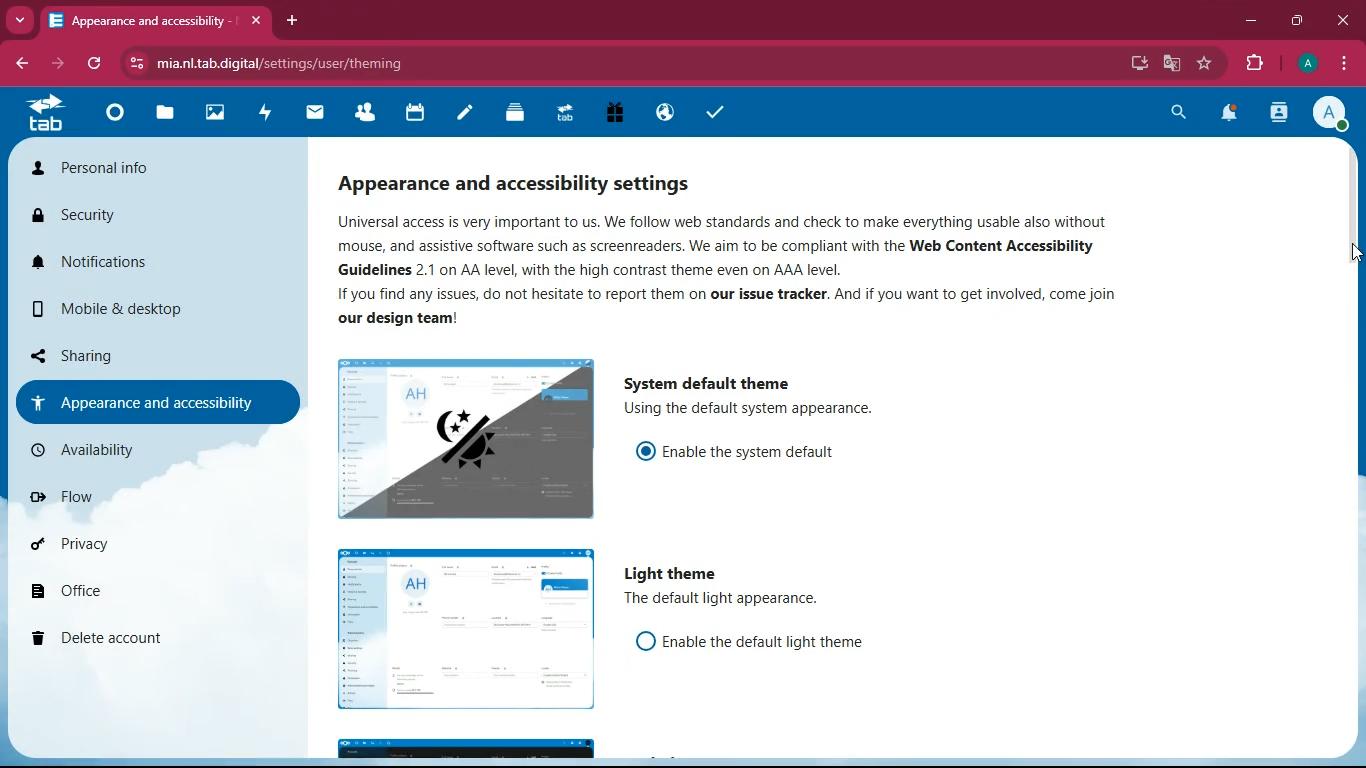 This screenshot has height=768, width=1366. What do you see at coordinates (669, 574) in the screenshot?
I see `light theme` at bounding box center [669, 574].